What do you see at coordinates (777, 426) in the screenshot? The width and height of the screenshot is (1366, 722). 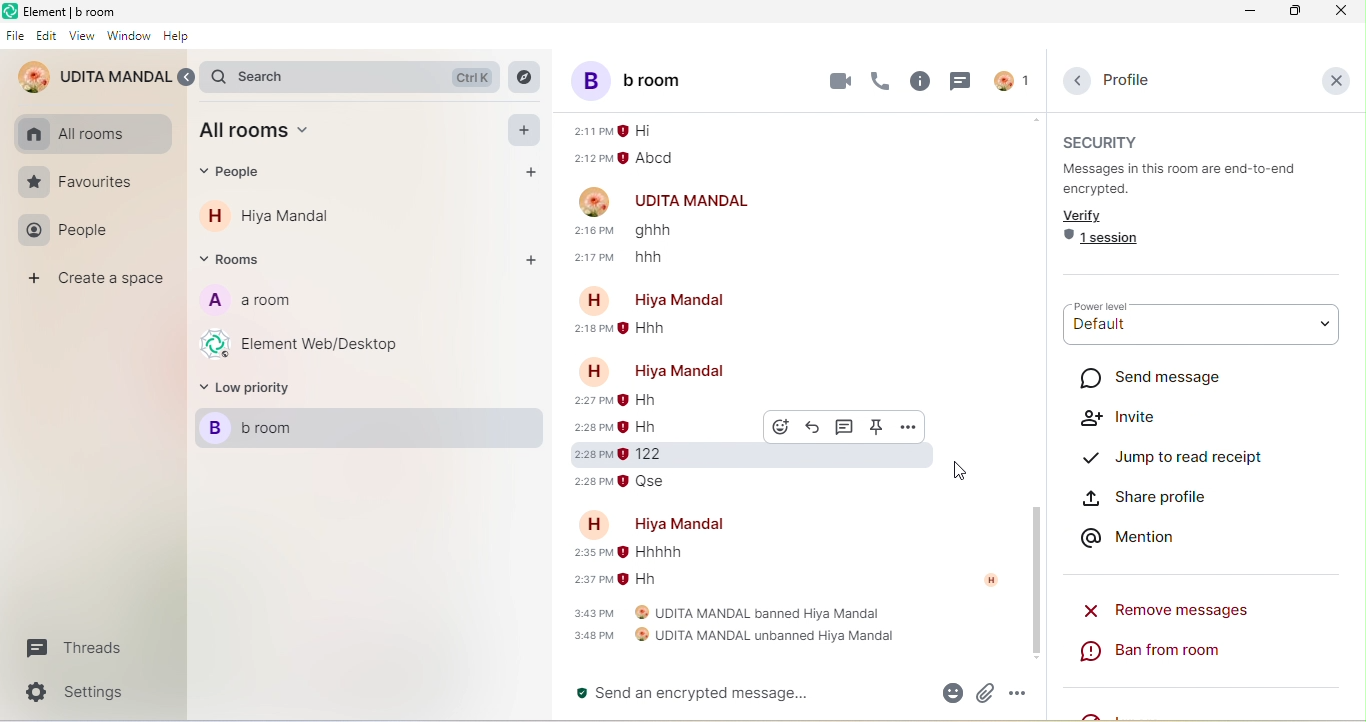 I see `react` at bounding box center [777, 426].